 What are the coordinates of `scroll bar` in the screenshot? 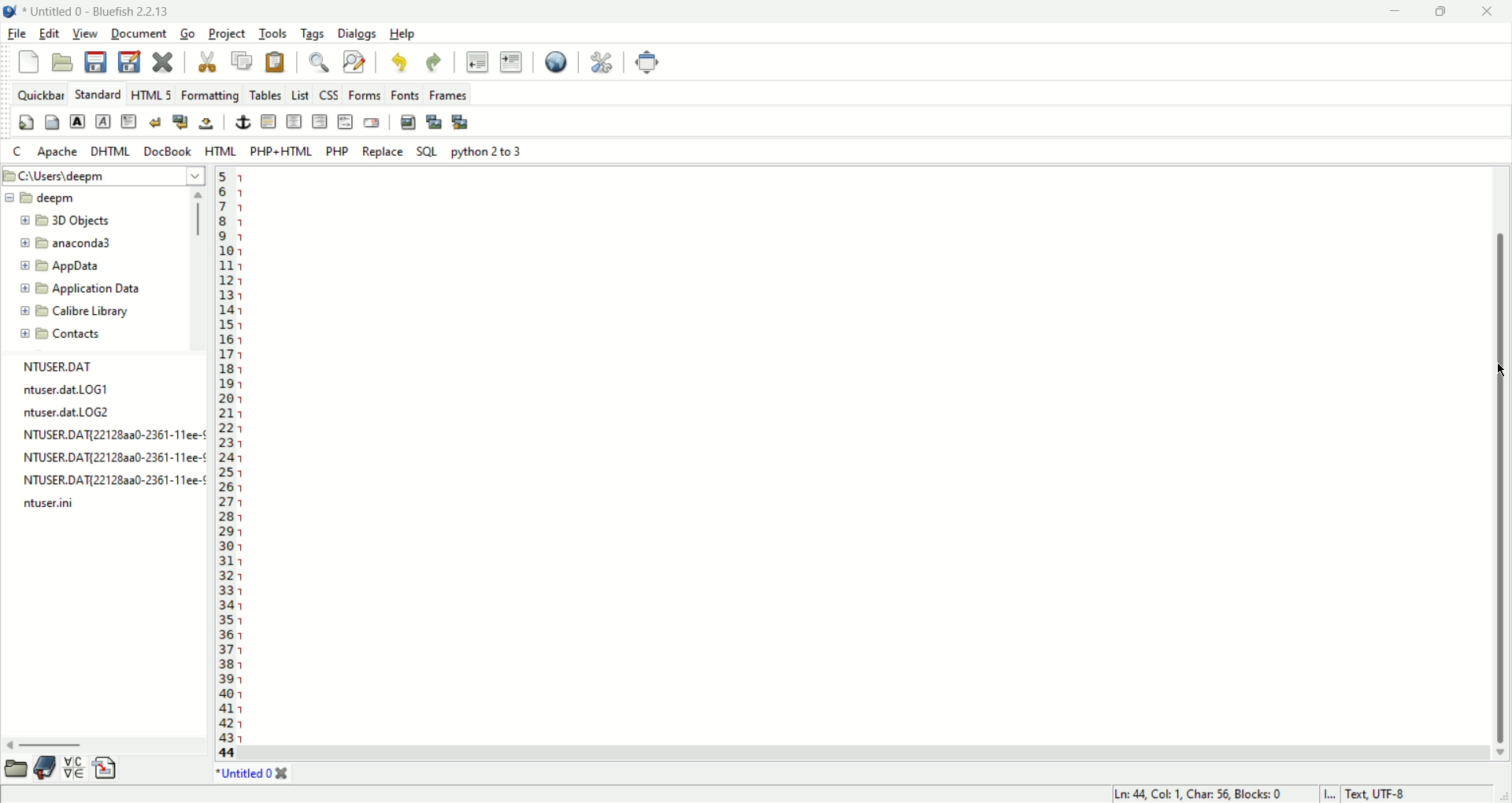 It's located at (200, 269).